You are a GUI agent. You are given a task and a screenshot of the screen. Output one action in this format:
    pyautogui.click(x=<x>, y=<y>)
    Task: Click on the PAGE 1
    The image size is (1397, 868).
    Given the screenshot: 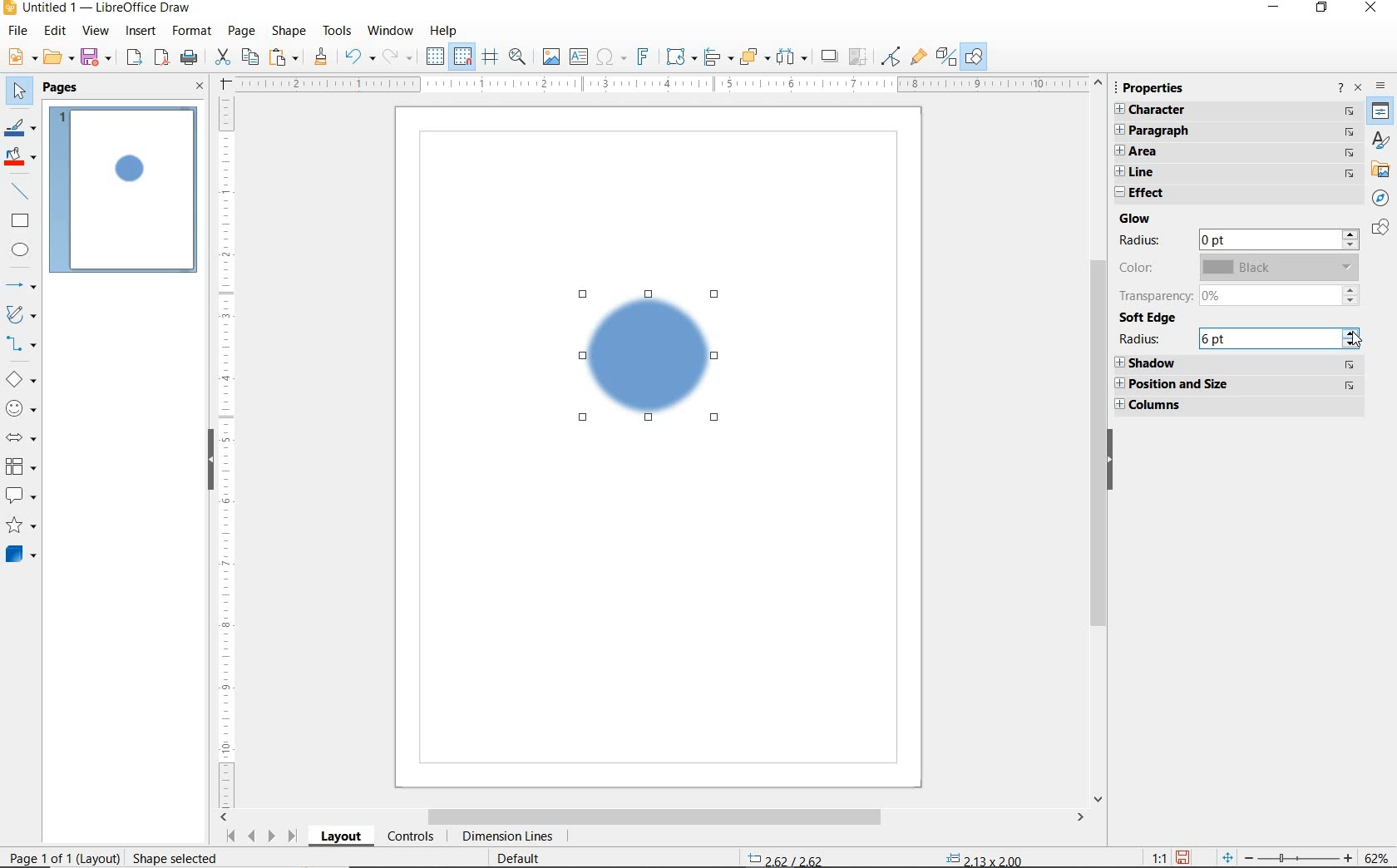 What is the action you would take?
    pyautogui.click(x=126, y=190)
    